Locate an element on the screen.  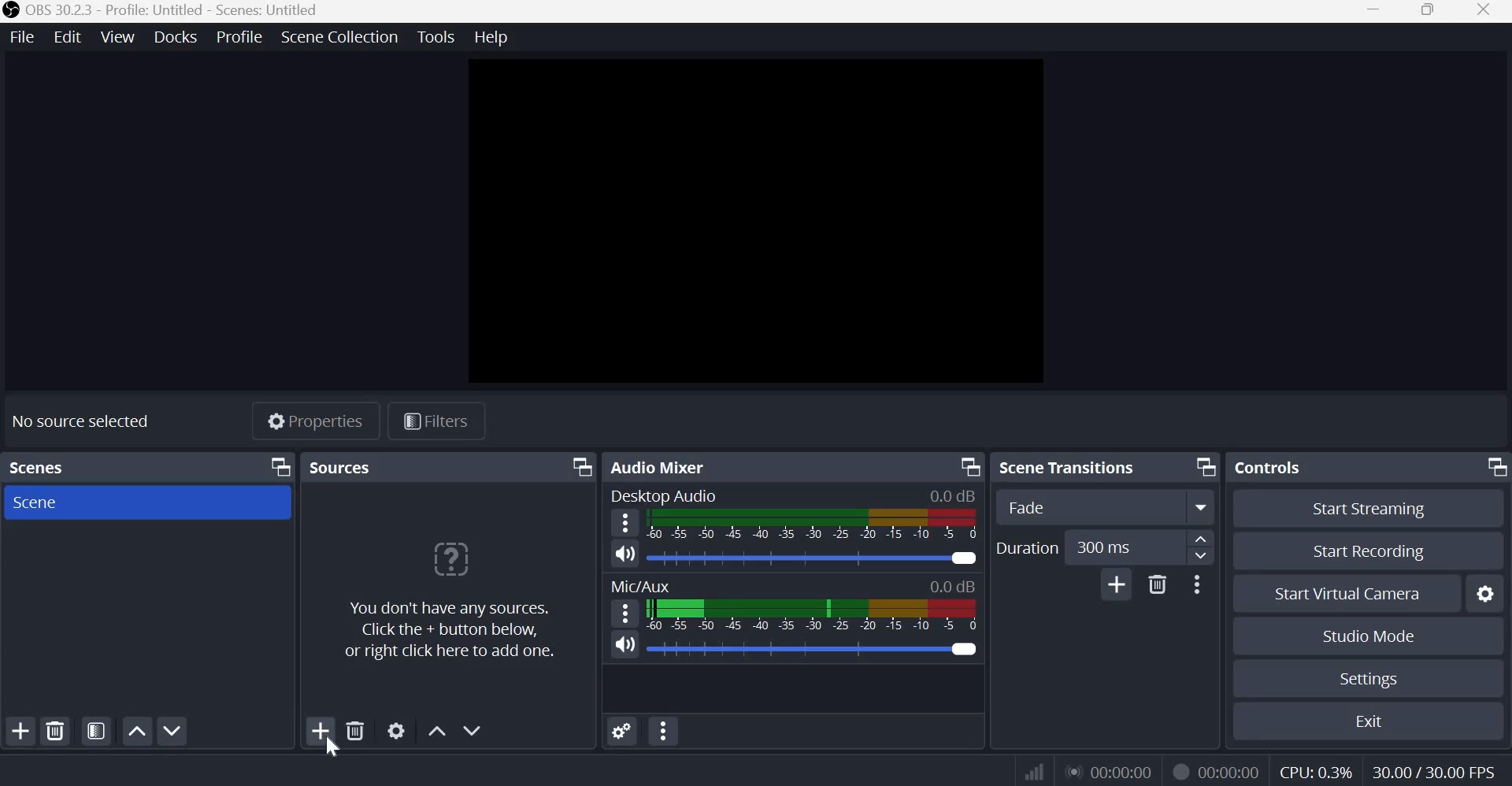
Dock Options icon is located at coordinates (1202, 466).